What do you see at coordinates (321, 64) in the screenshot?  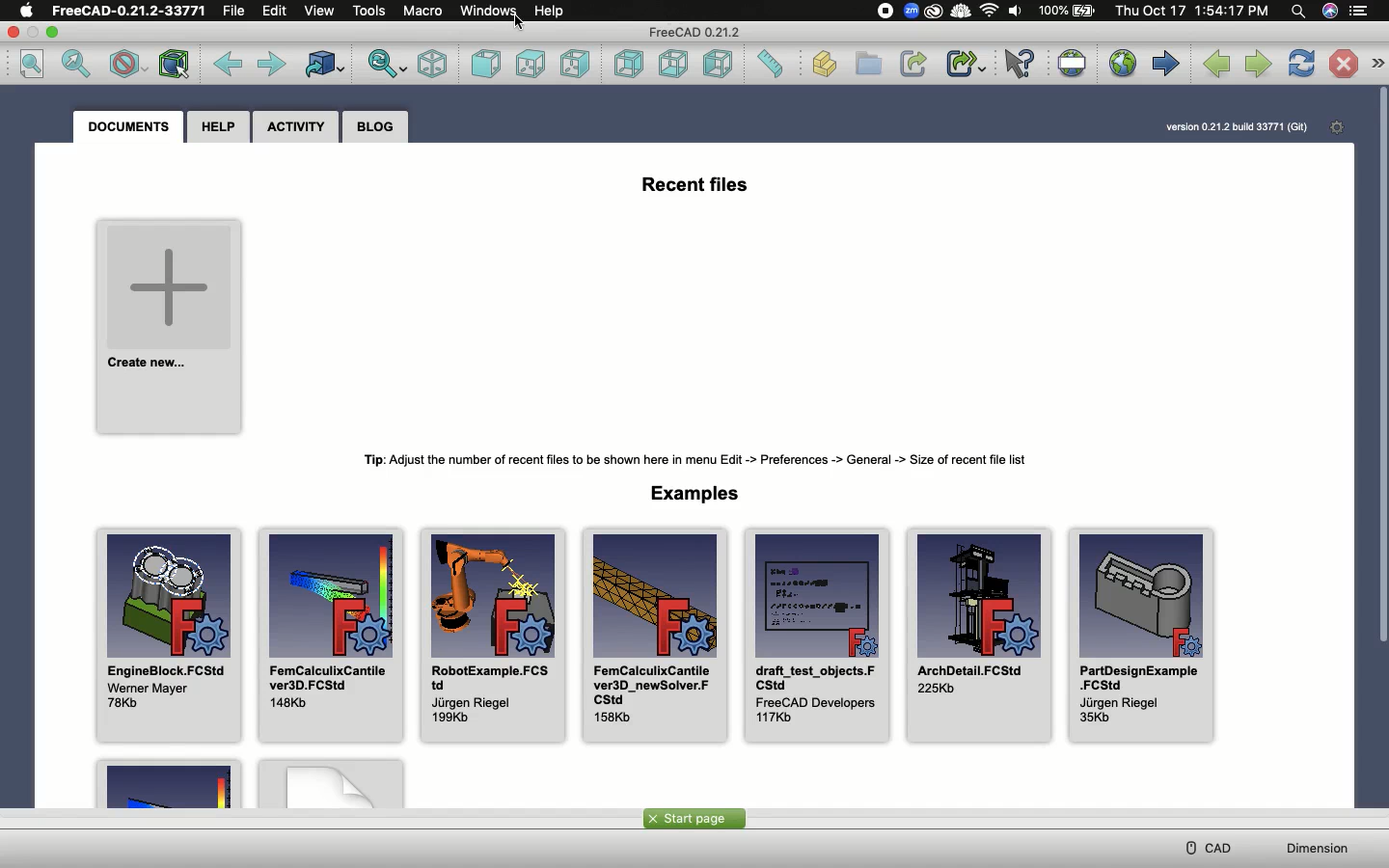 I see `Go to linked object` at bounding box center [321, 64].